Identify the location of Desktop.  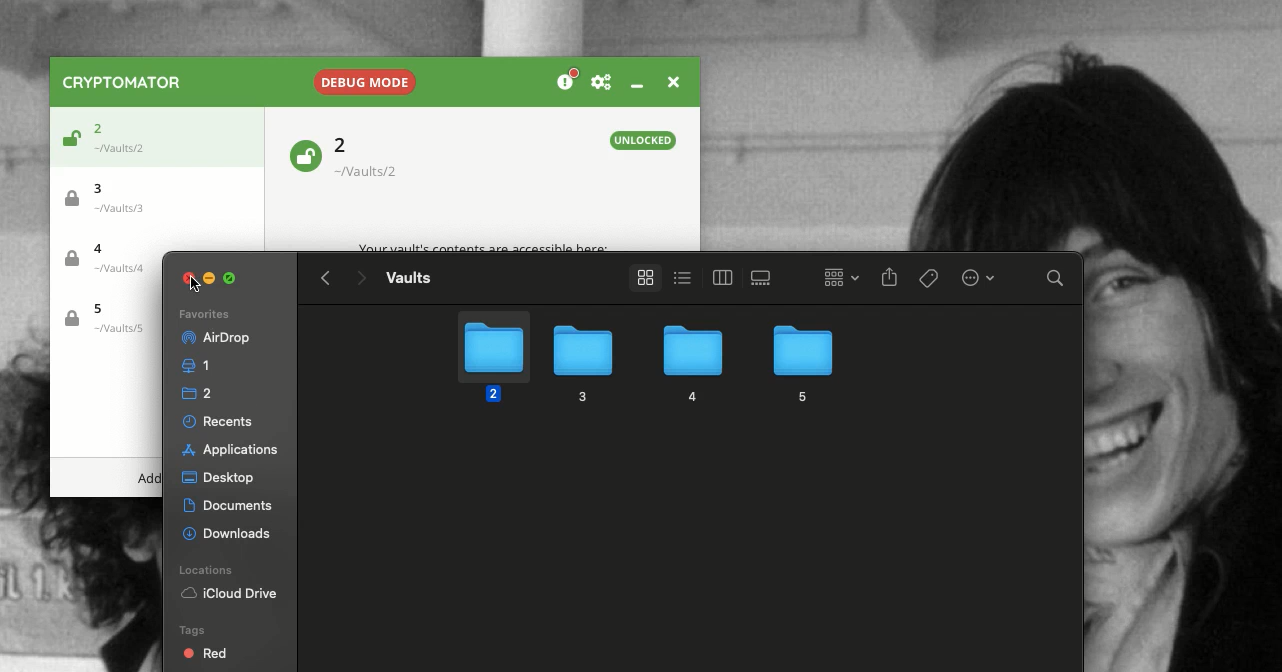
(231, 451).